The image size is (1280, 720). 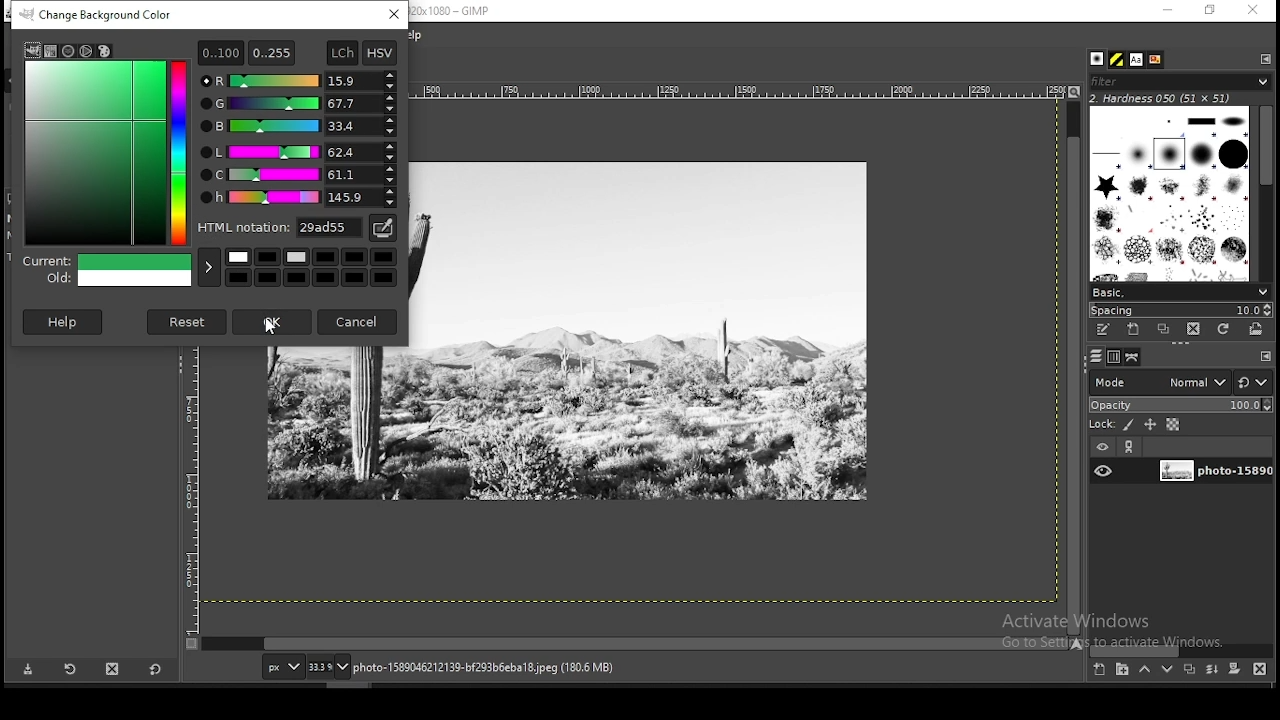 What do you see at coordinates (274, 328) in the screenshot?
I see `mouse pointer` at bounding box center [274, 328].